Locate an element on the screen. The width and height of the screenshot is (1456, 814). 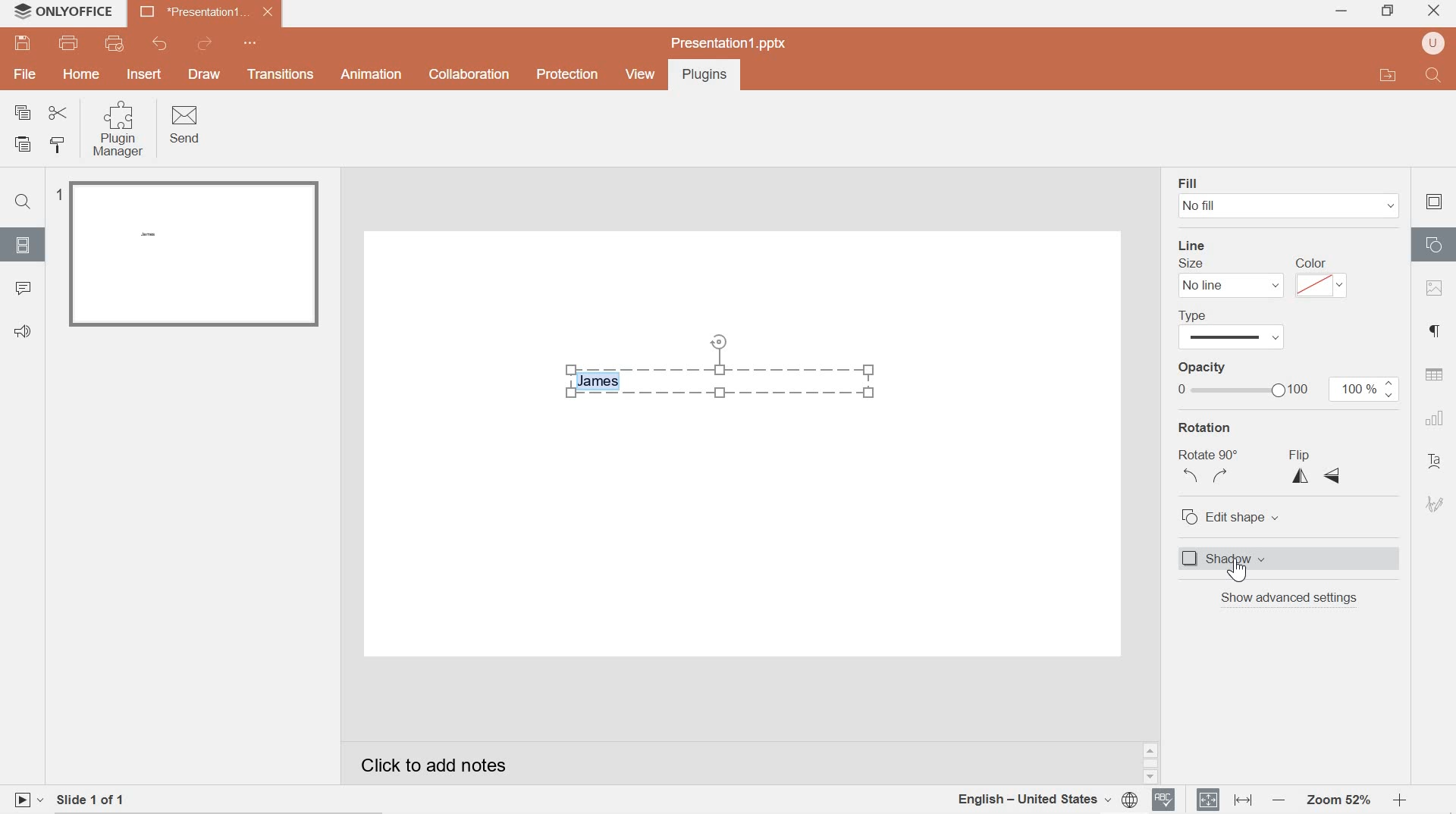
redo is located at coordinates (207, 43).